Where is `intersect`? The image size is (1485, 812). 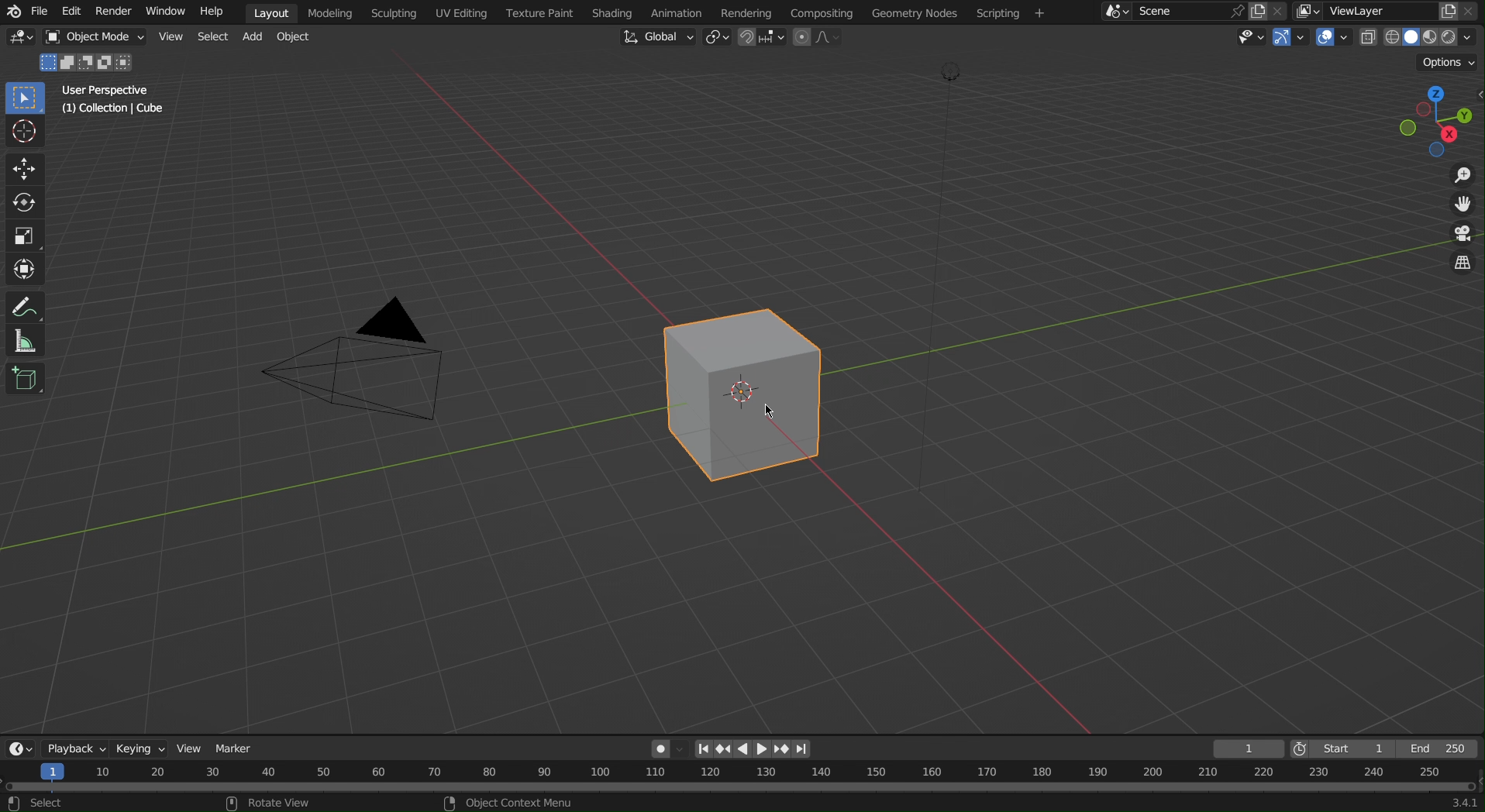 intersect is located at coordinates (129, 63).